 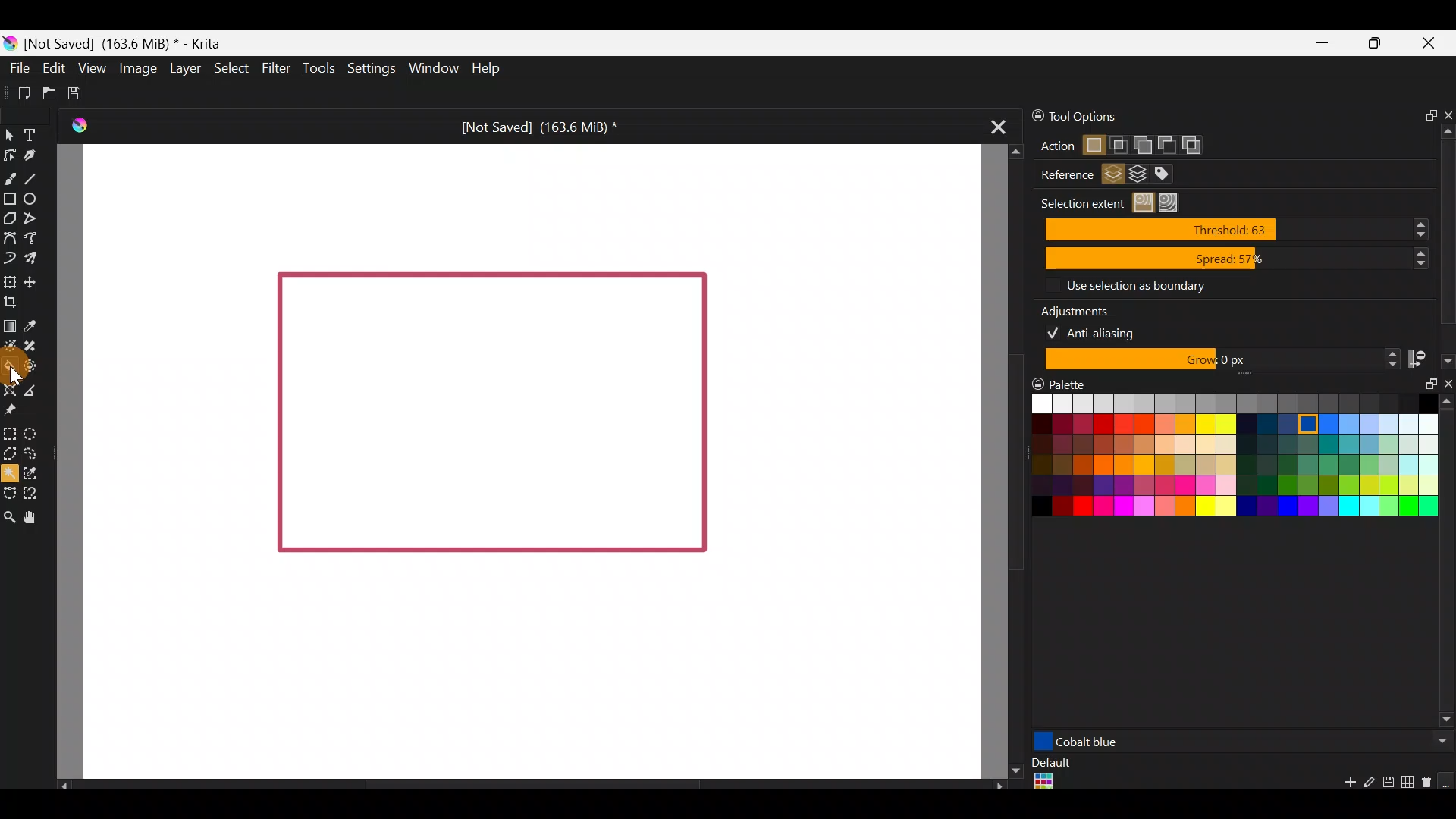 I want to click on Filter, so click(x=274, y=68).